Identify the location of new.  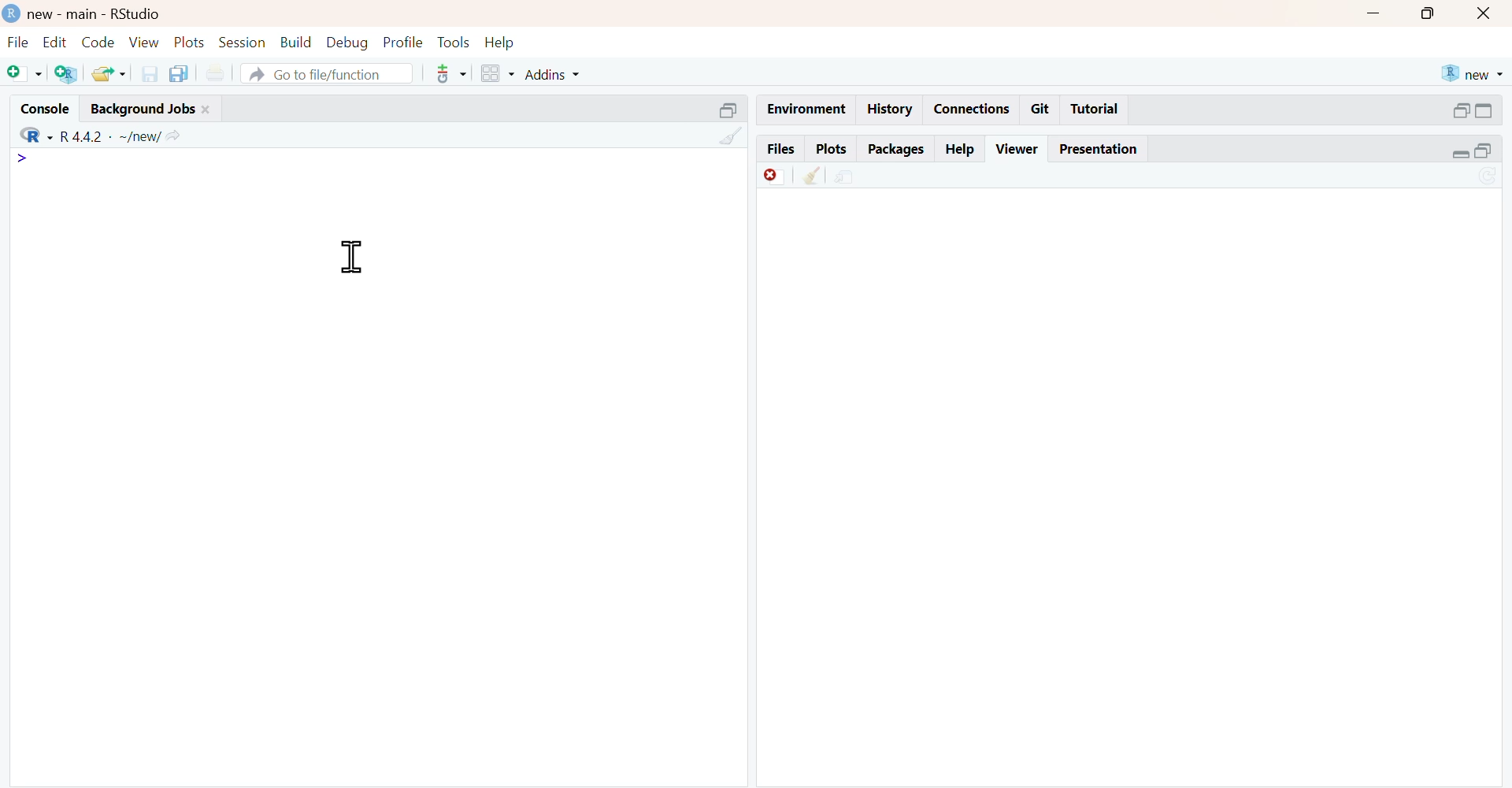
(1474, 74).